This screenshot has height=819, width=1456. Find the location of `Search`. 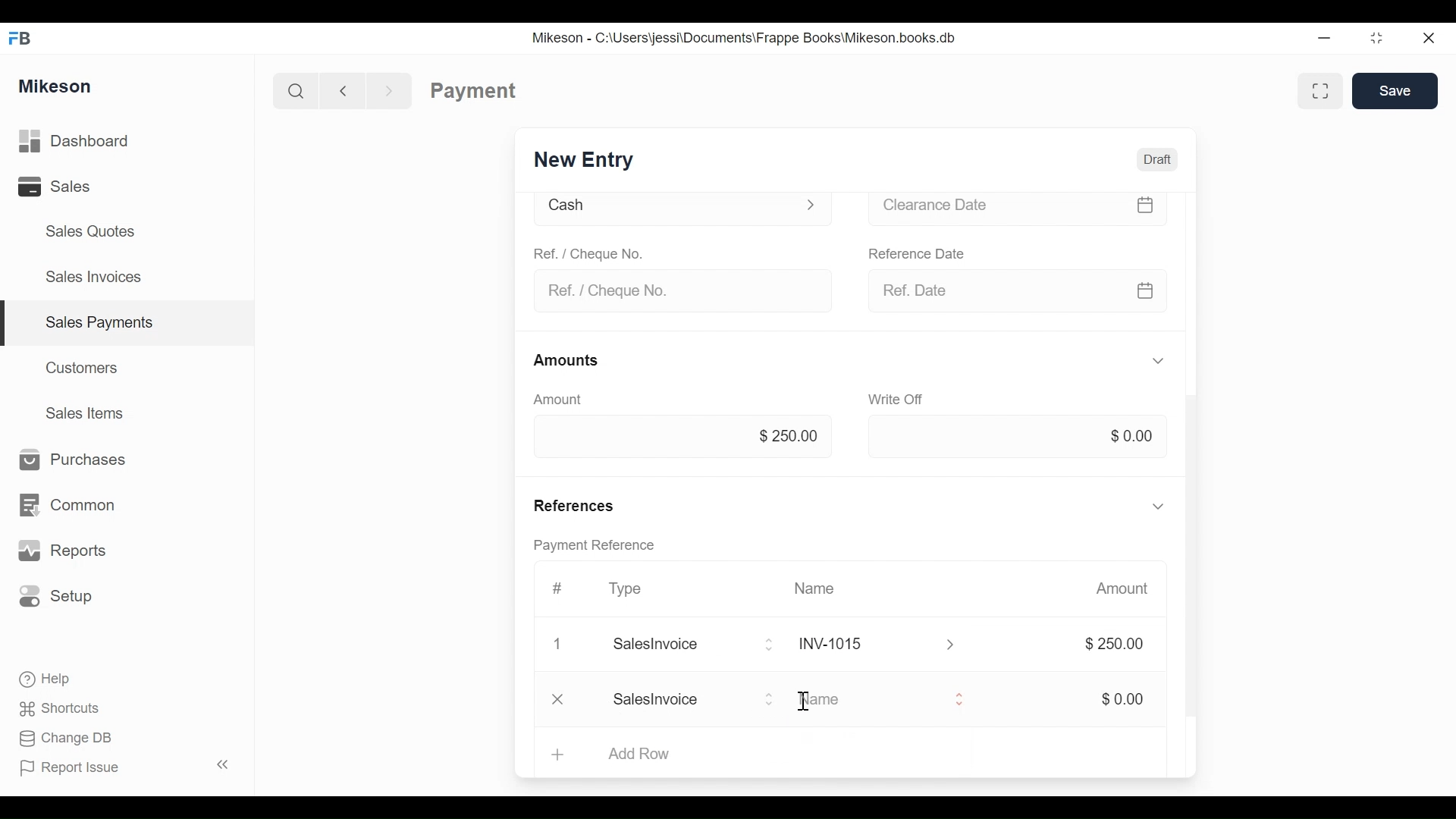

Search is located at coordinates (291, 89).